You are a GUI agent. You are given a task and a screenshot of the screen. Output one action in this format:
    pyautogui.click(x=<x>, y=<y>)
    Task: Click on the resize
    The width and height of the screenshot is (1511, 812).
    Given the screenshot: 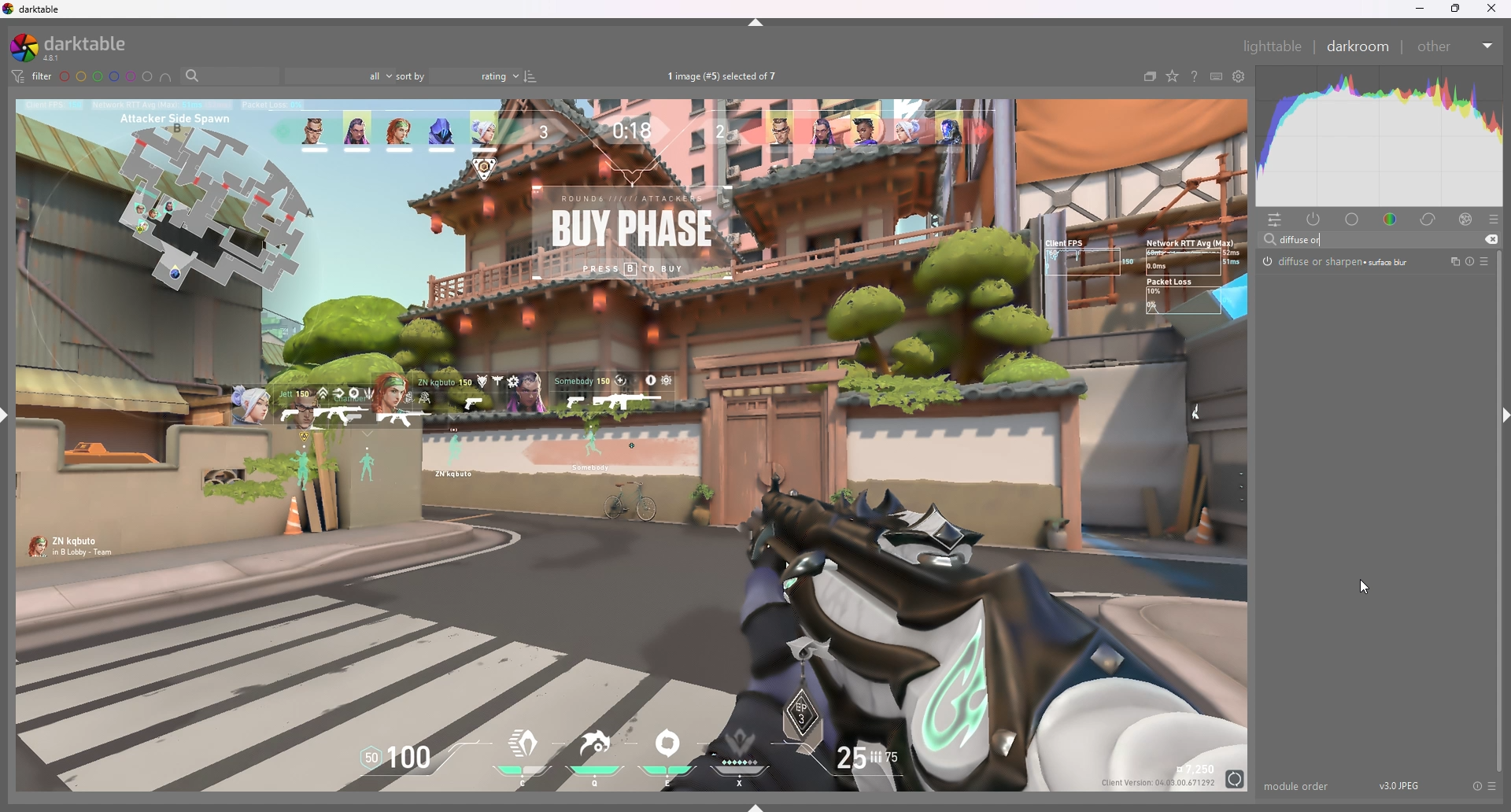 What is the action you would take?
    pyautogui.click(x=1456, y=8)
    